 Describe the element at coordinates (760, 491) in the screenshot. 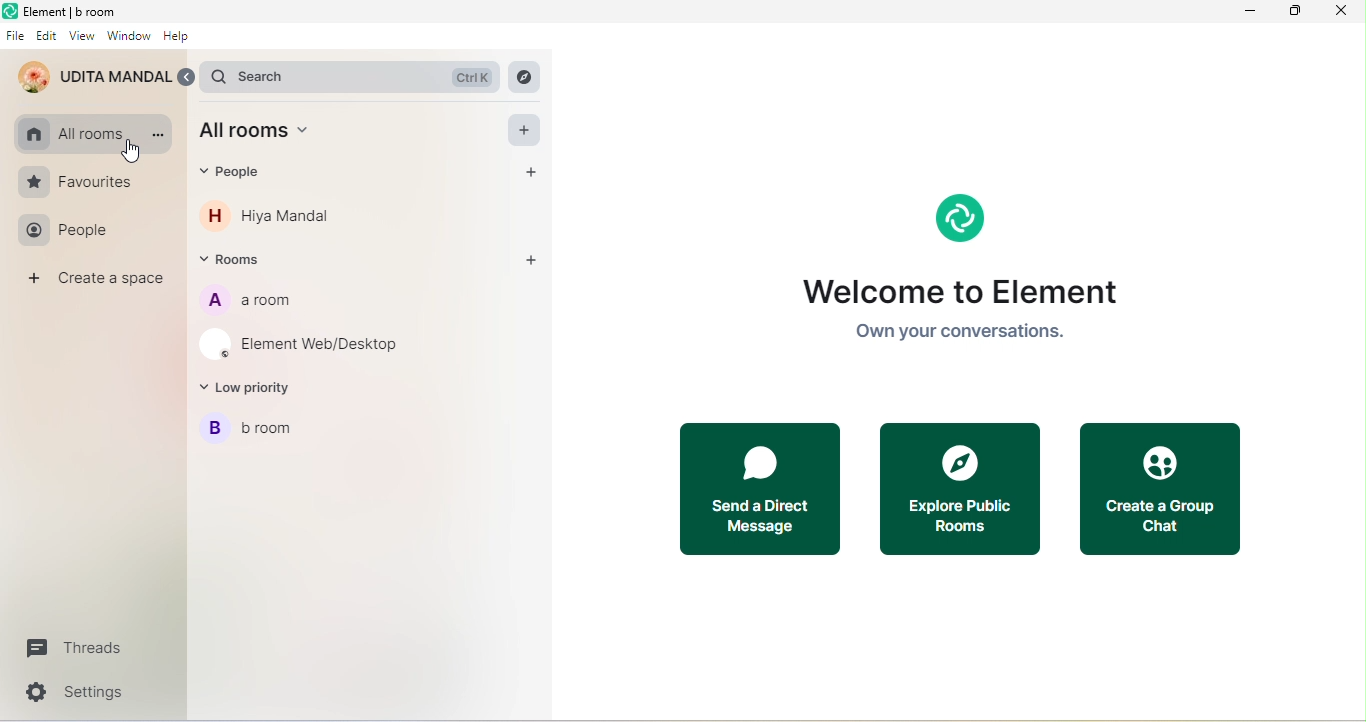

I see `send a direct message` at that location.